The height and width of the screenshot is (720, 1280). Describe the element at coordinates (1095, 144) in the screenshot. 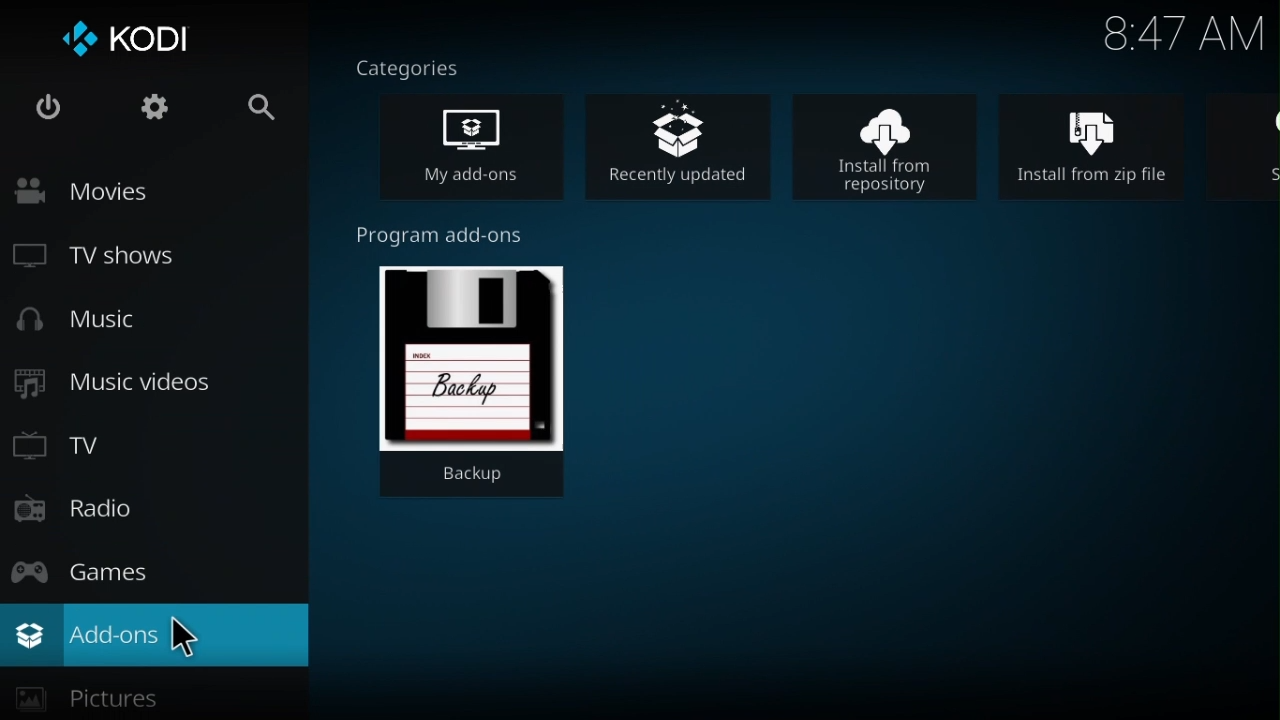

I see `Install from zip file` at that location.